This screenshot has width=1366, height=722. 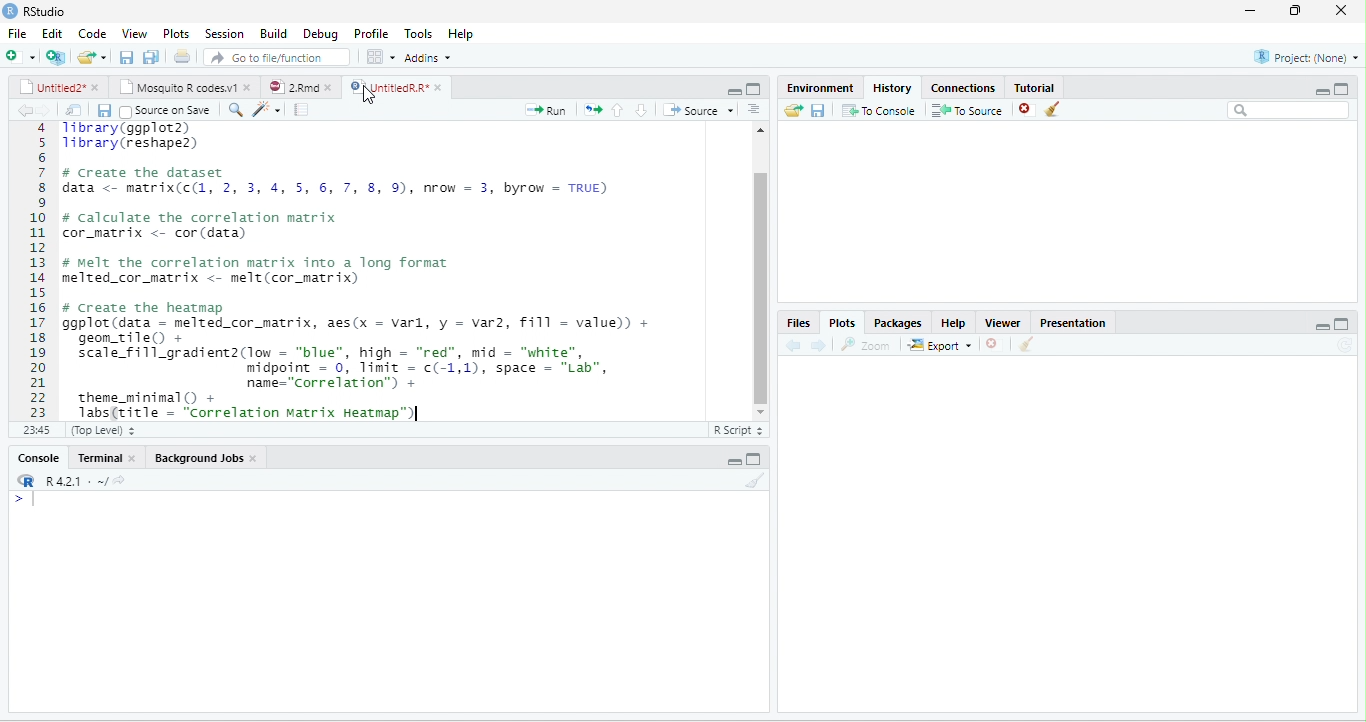 What do you see at coordinates (92, 34) in the screenshot?
I see `code` at bounding box center [92, 34].